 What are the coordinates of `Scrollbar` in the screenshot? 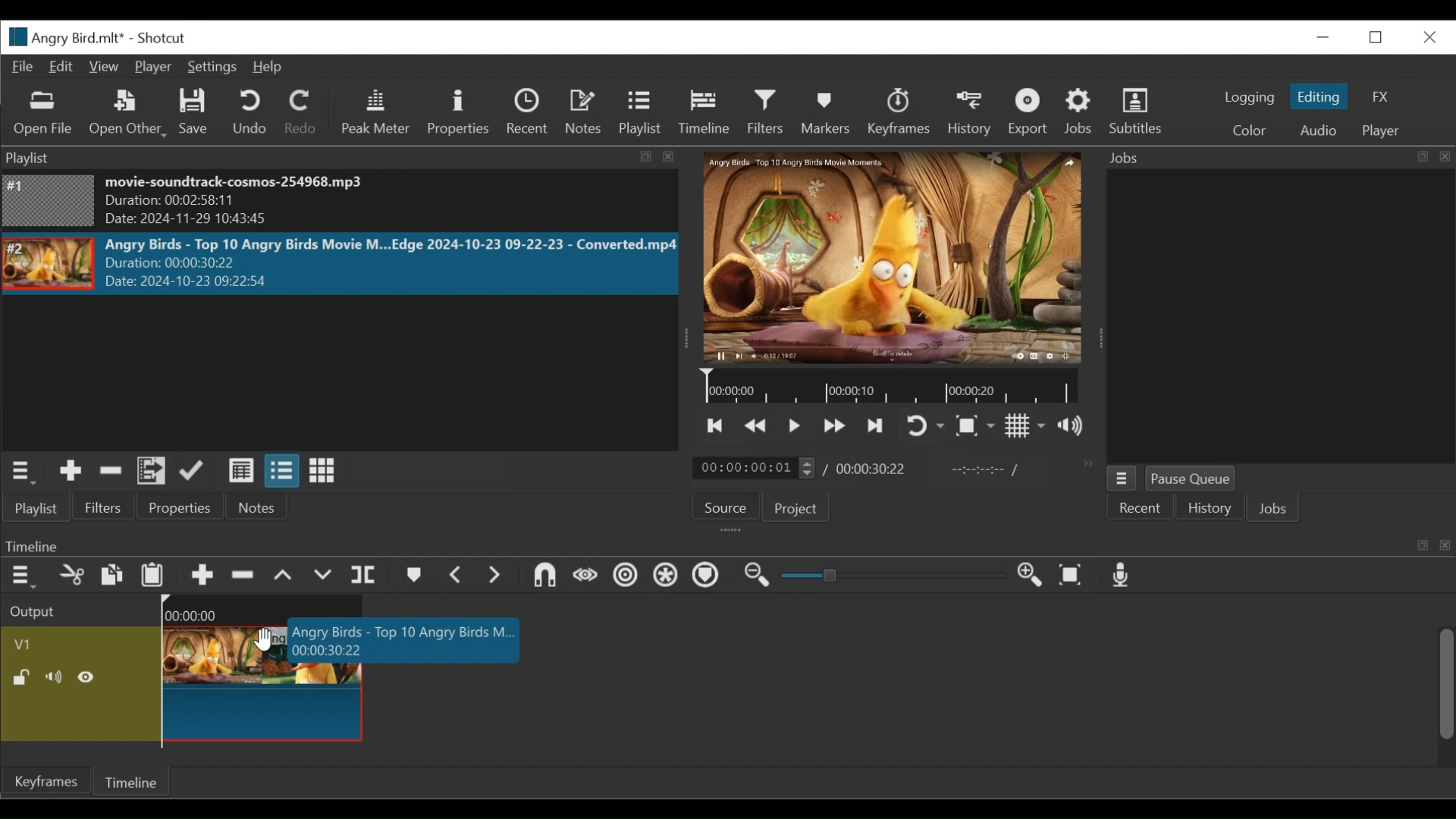 It's located at (1446, 686).